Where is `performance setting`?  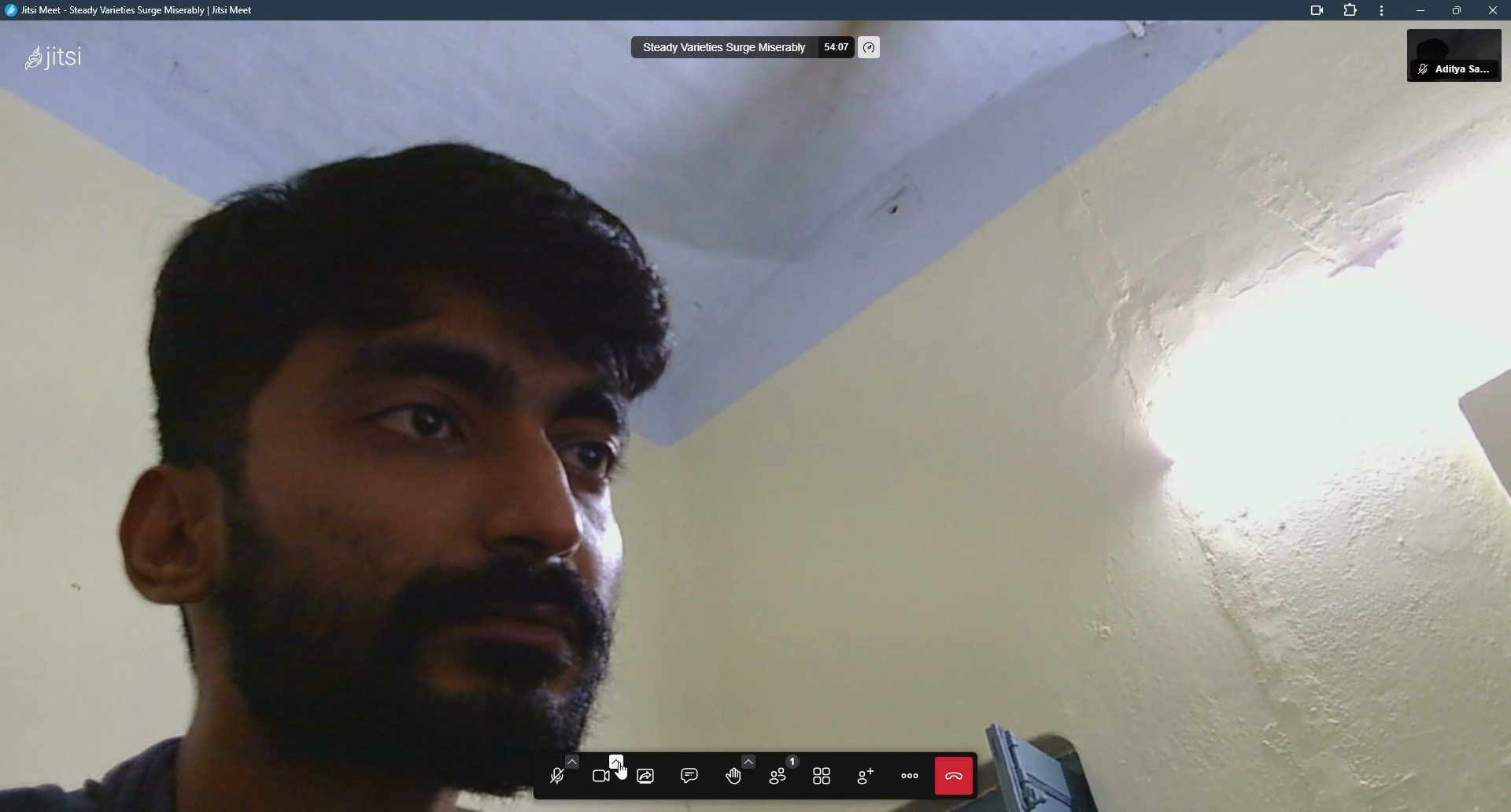
performance setting is located at coordinates (870, 48).